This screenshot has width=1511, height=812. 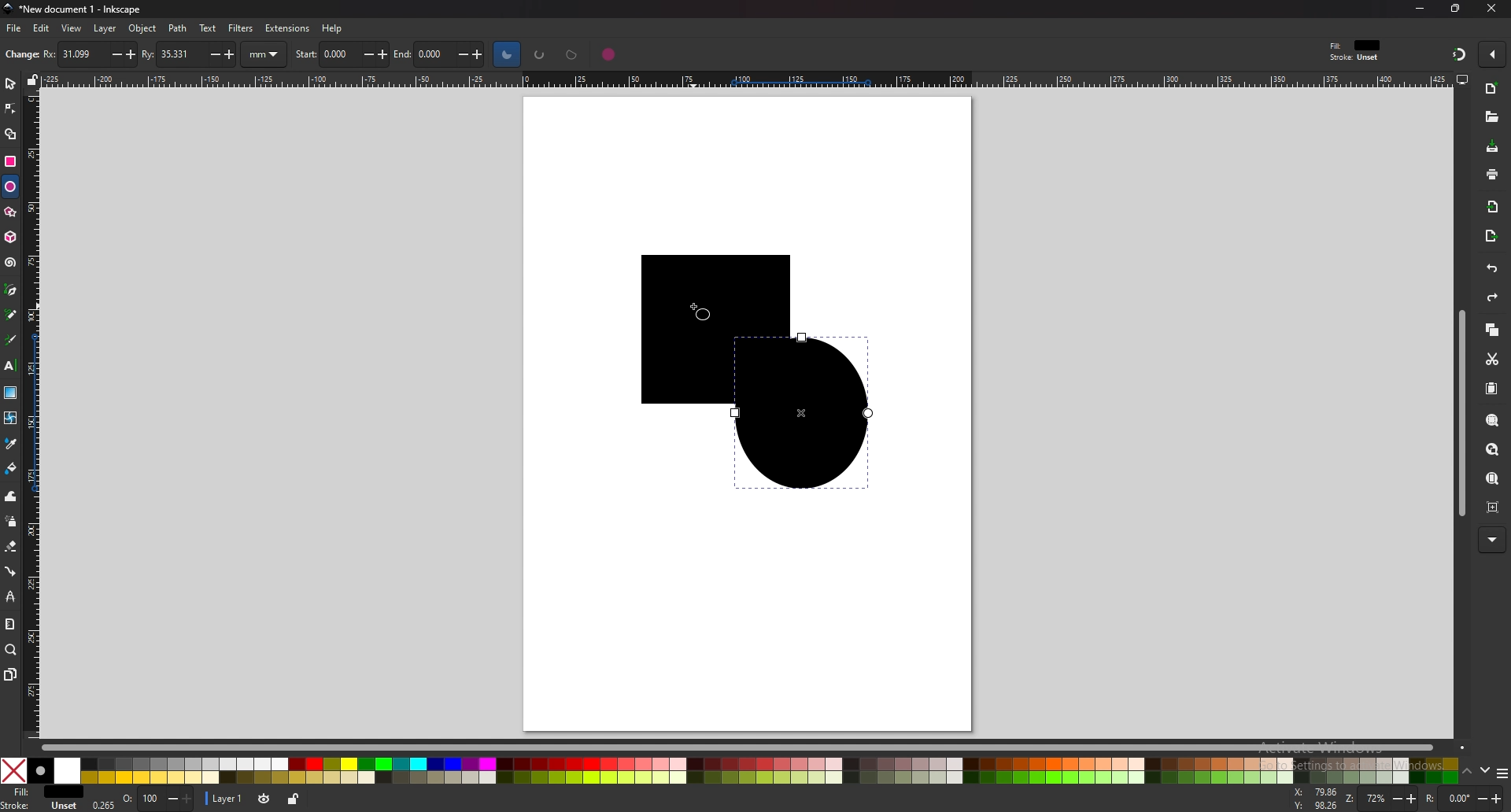 What do you see at coordinates (11, 417) in the screenshot?
I see `mesh` at bounding box center [11, 417].